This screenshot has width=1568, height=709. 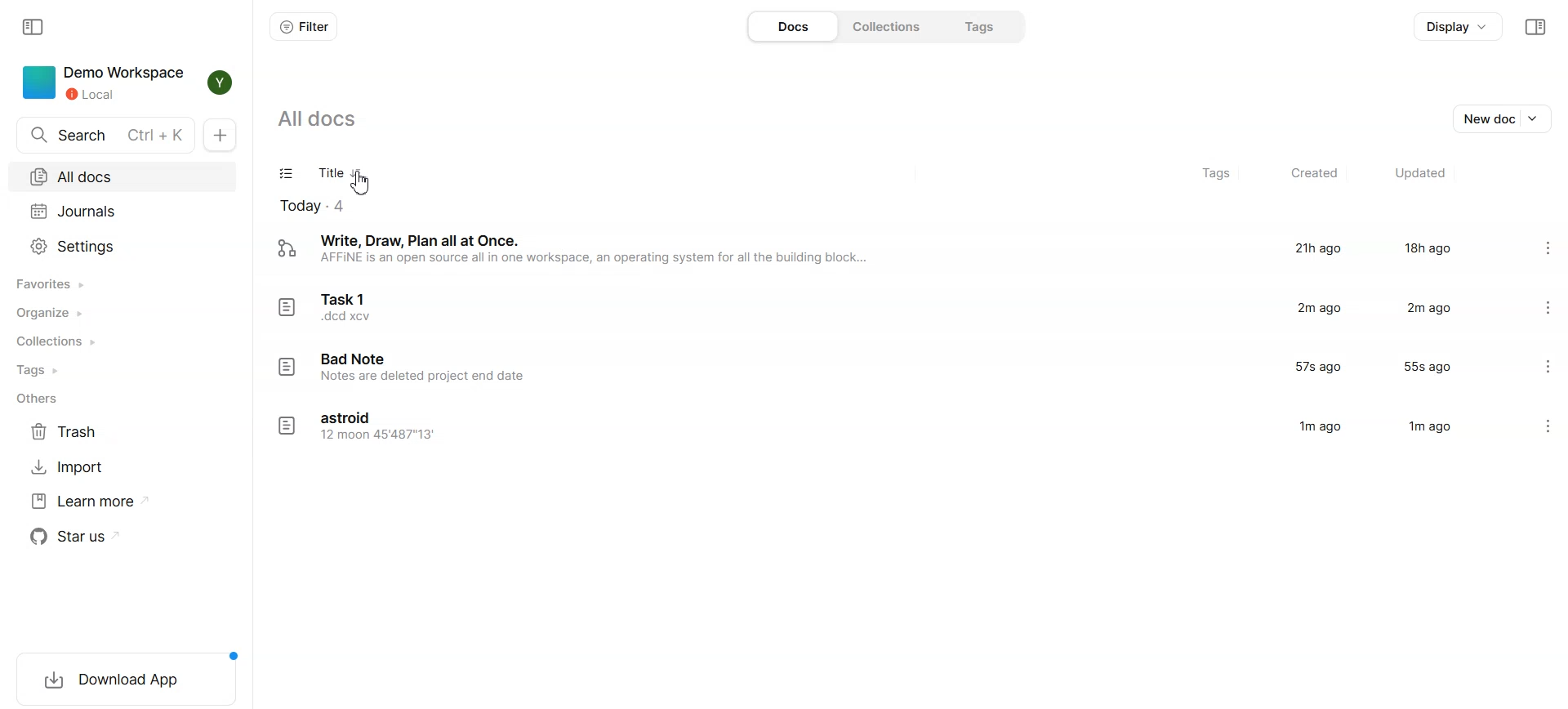 What do you see at coordinates (377, 436) in the screenshot?
I see `12 moon 45'487"13'` at bounding box center [377, 436].